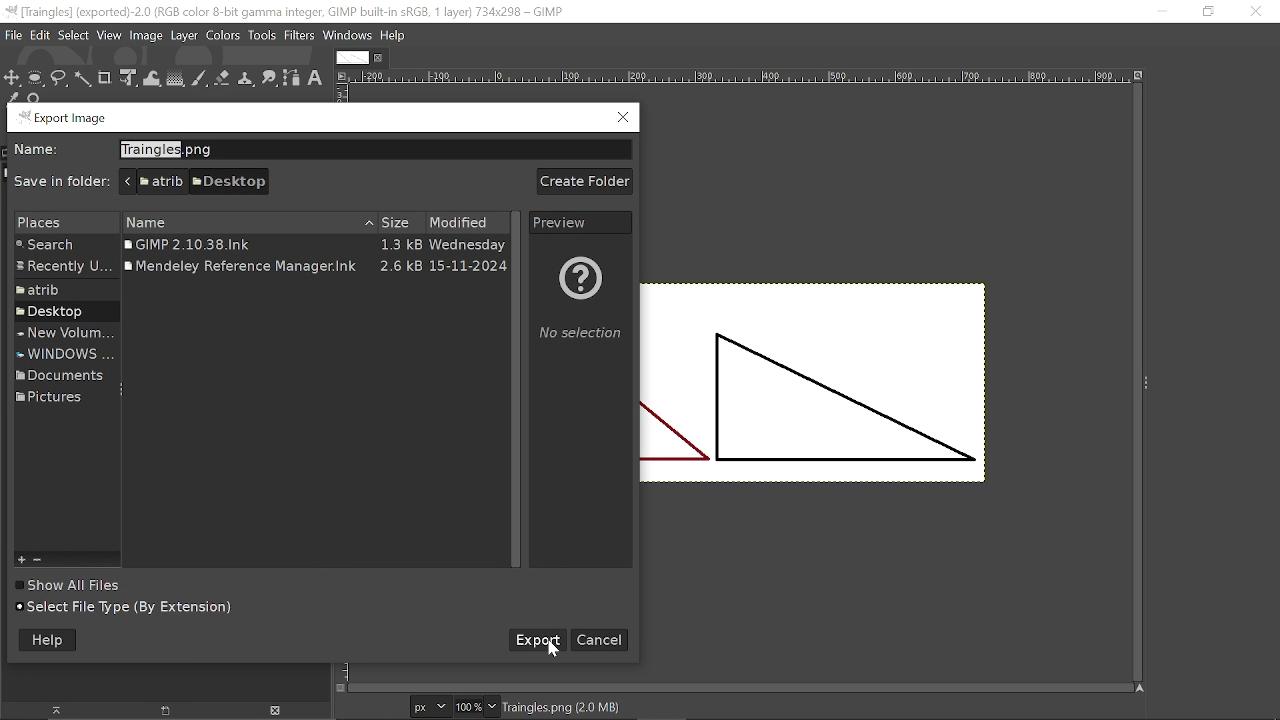  Describe the element at coordinates (110, 36) in the screenshot. I see `View` at that location.